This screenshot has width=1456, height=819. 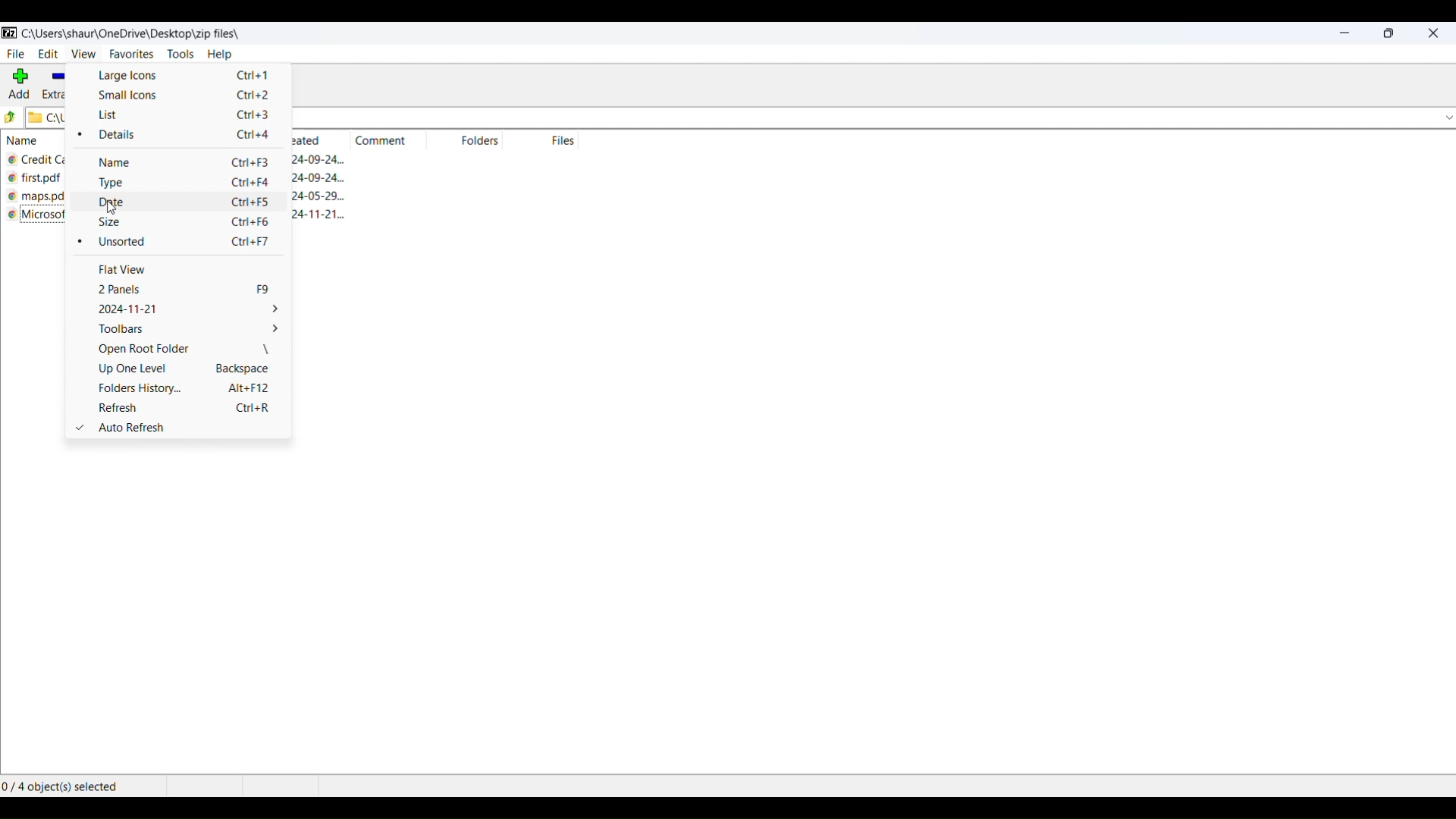 I want to click on name, so click(x=179, y=161).